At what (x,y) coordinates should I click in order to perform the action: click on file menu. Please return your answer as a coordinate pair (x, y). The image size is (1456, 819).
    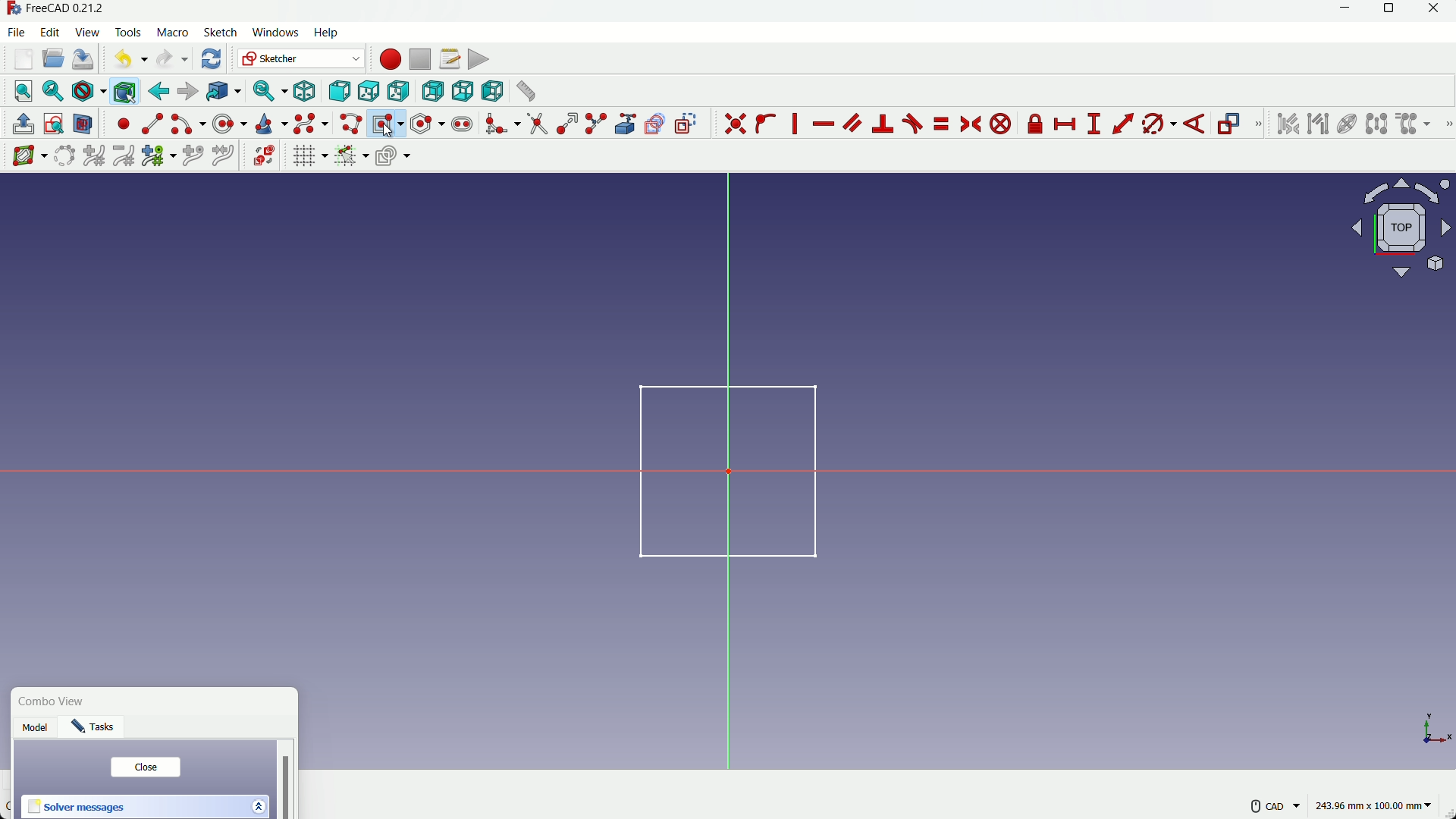
    Looking at the image, I should click on (18, 32).